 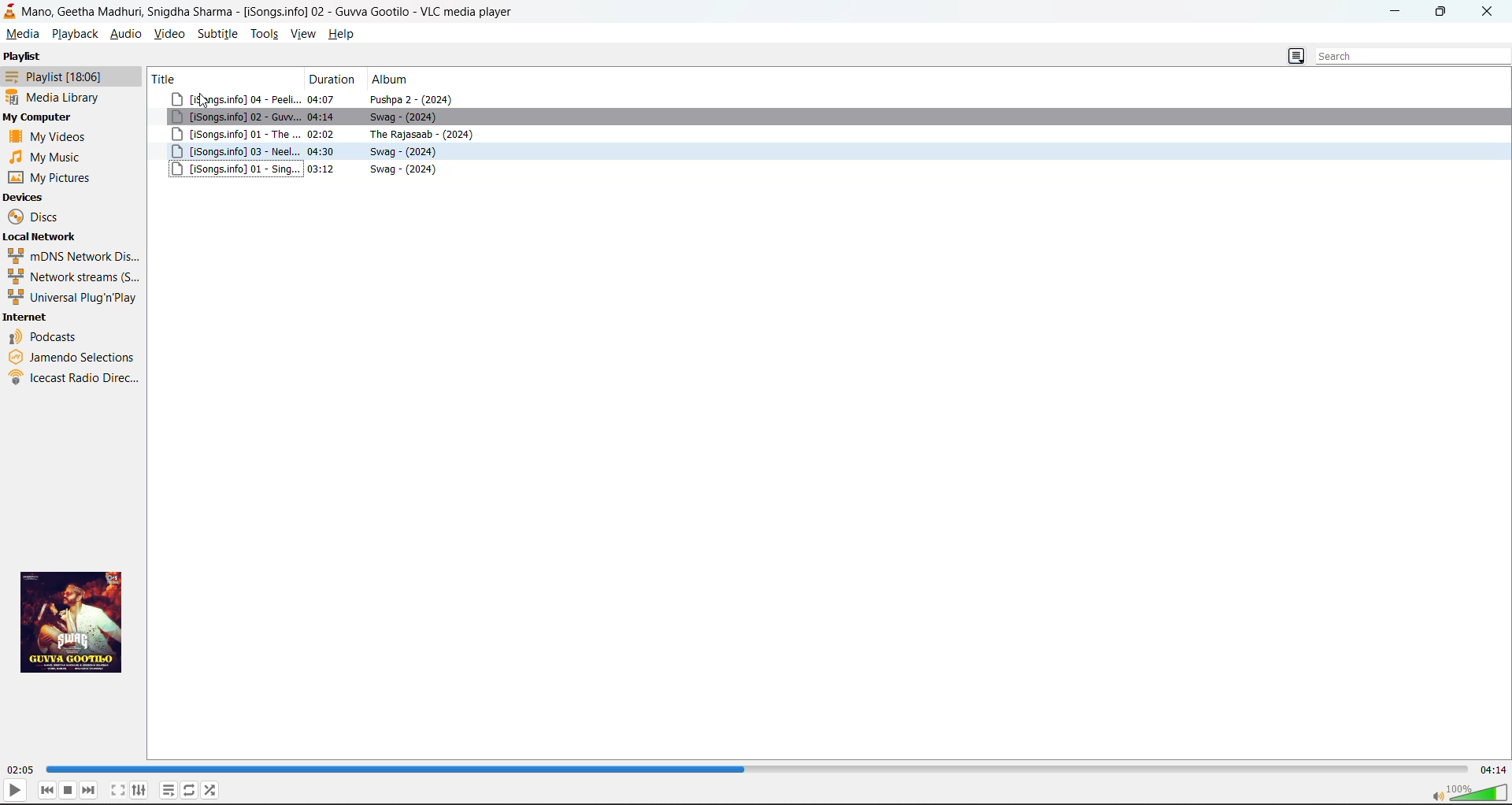 I want to click on track slider, so click(x=757, y=769).